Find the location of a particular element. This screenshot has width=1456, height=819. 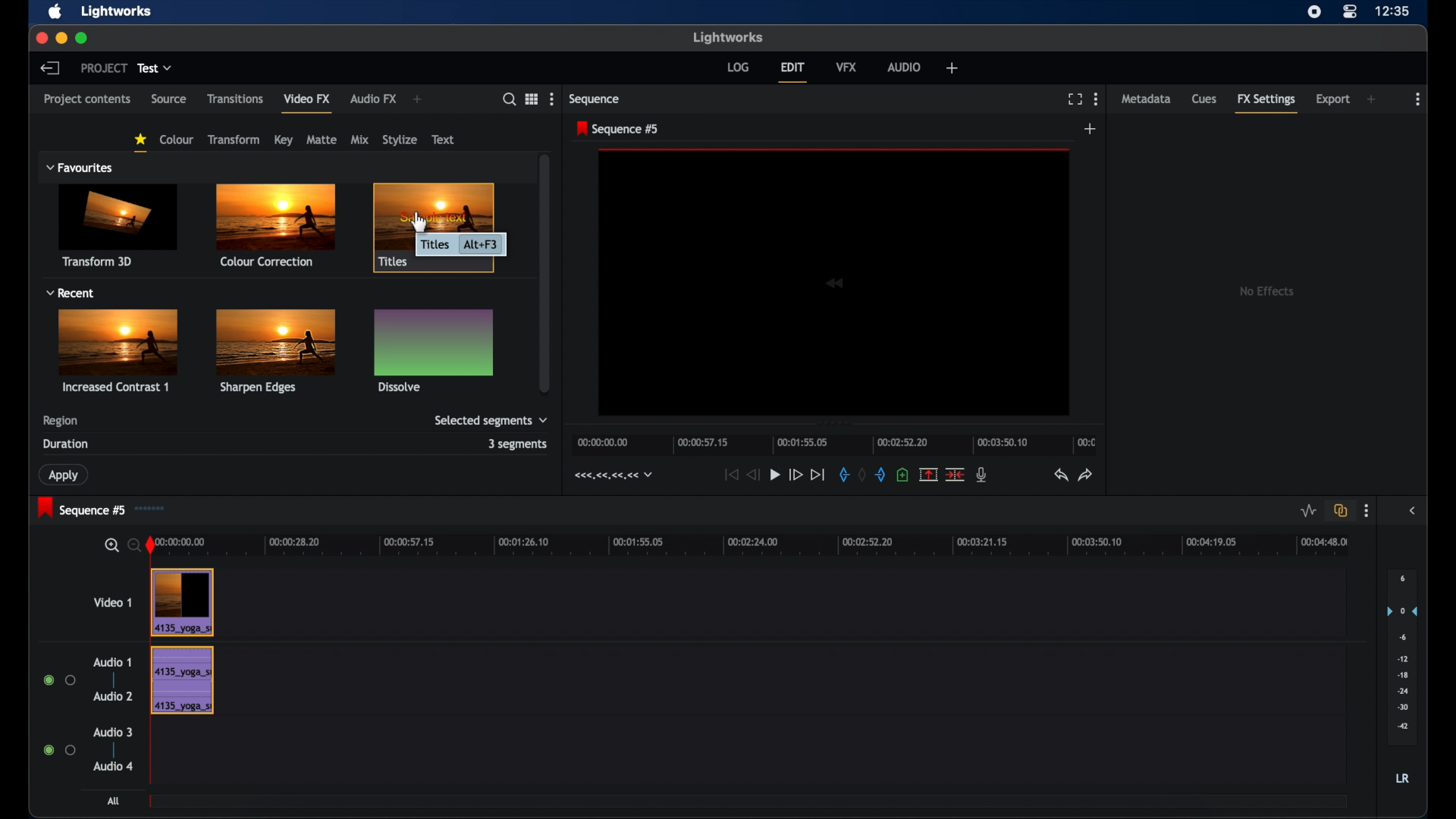

audio 4 is located at coordinates (114, 765).